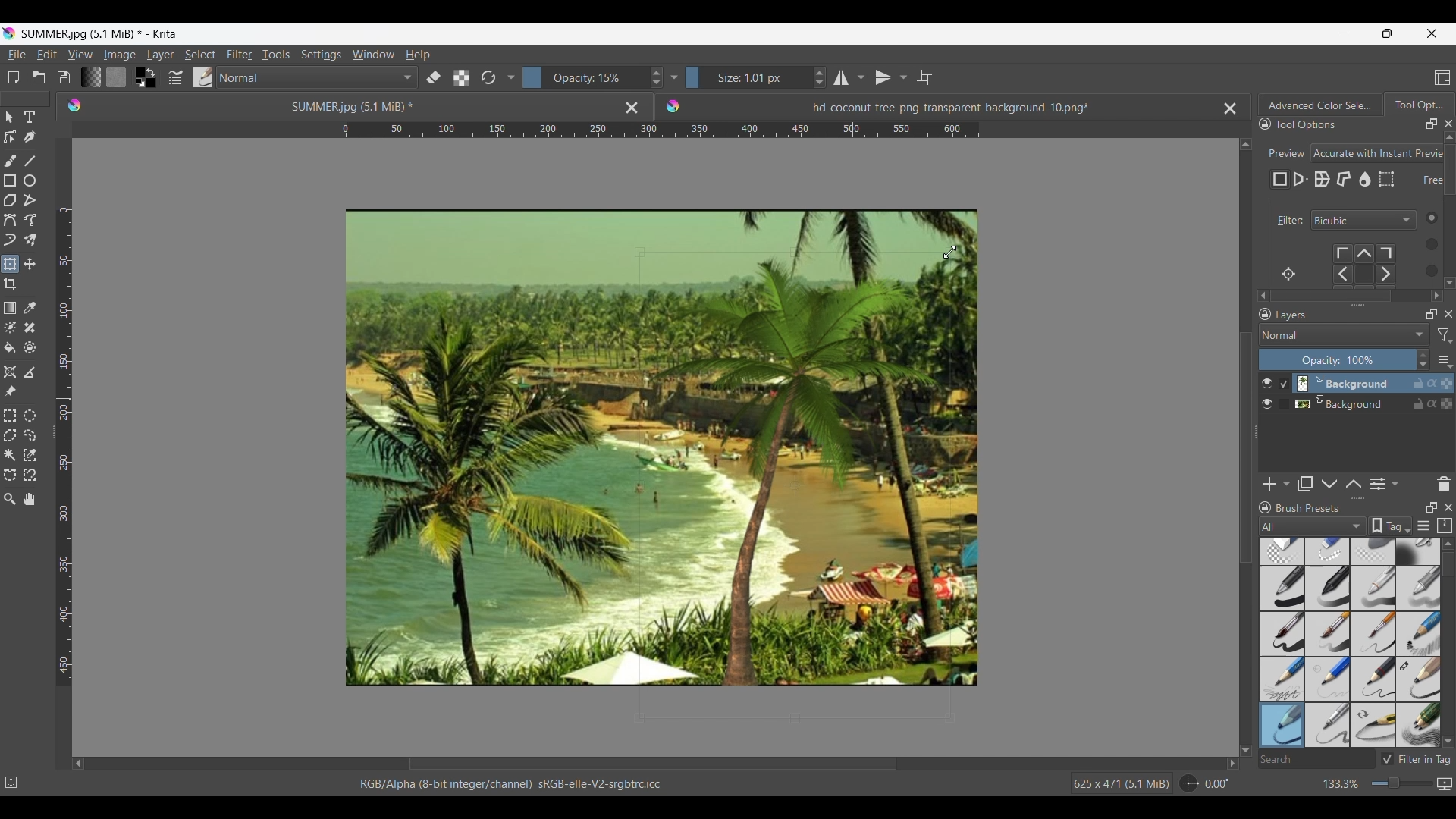 This screenshot has height=819, width=1456. I want to click on Cage, so click(1345, 180).